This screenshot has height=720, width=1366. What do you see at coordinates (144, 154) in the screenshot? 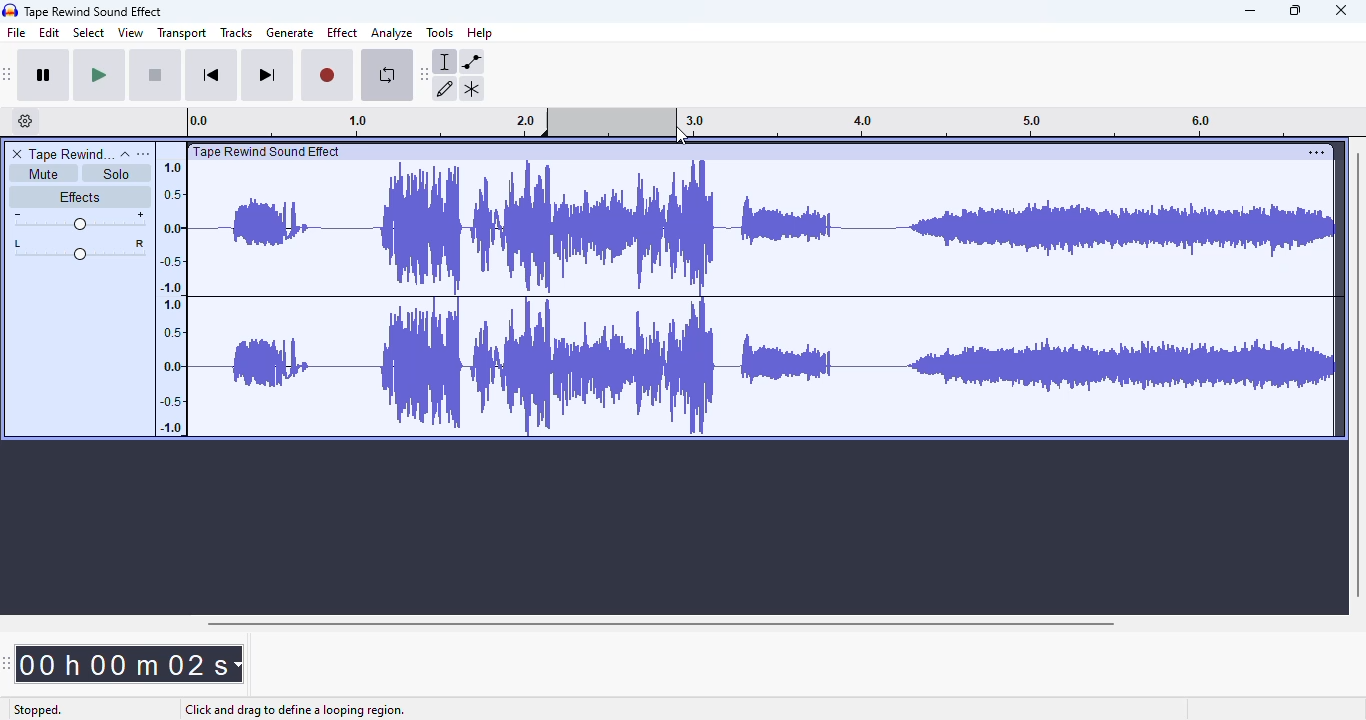
I see `open menu` at bounding box center [144, 154].